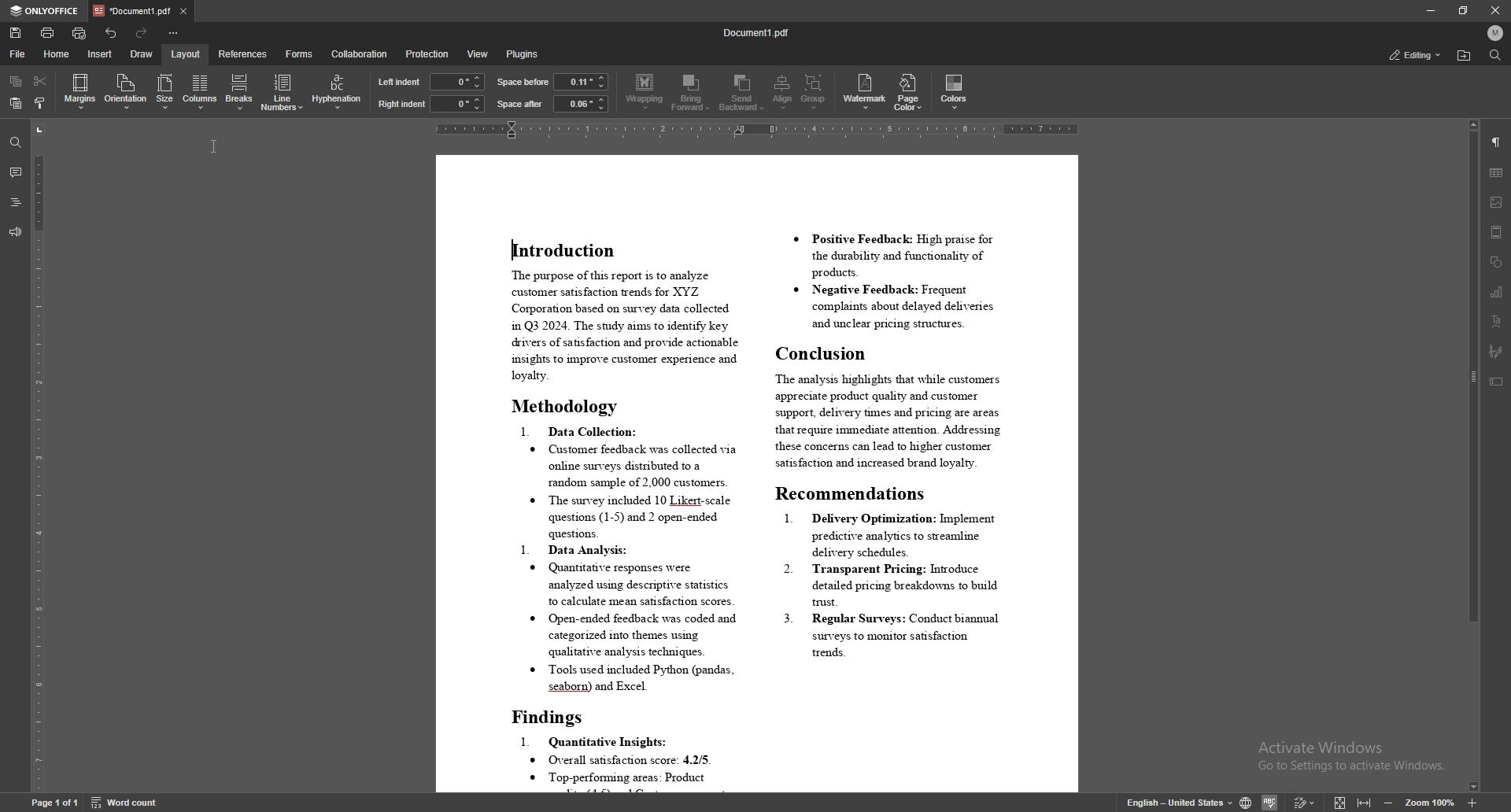 Image resolution: width=1511 pixels, height=812 pixels. Describe the element at coordinates (692, 92) in the screenshot. I see `bring forward` at that location.